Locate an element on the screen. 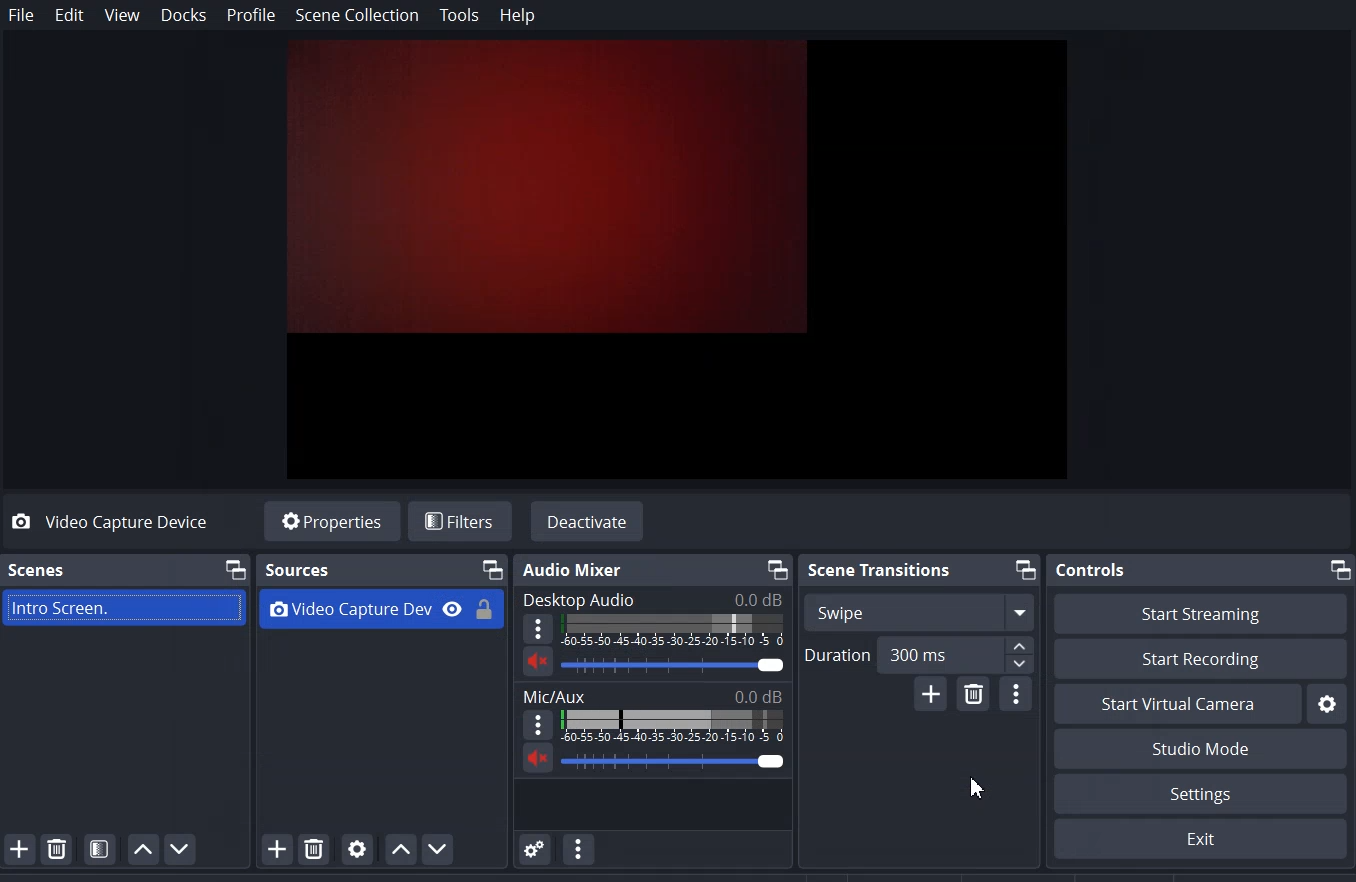  Move Source Up is located at coordinates (399, 849).